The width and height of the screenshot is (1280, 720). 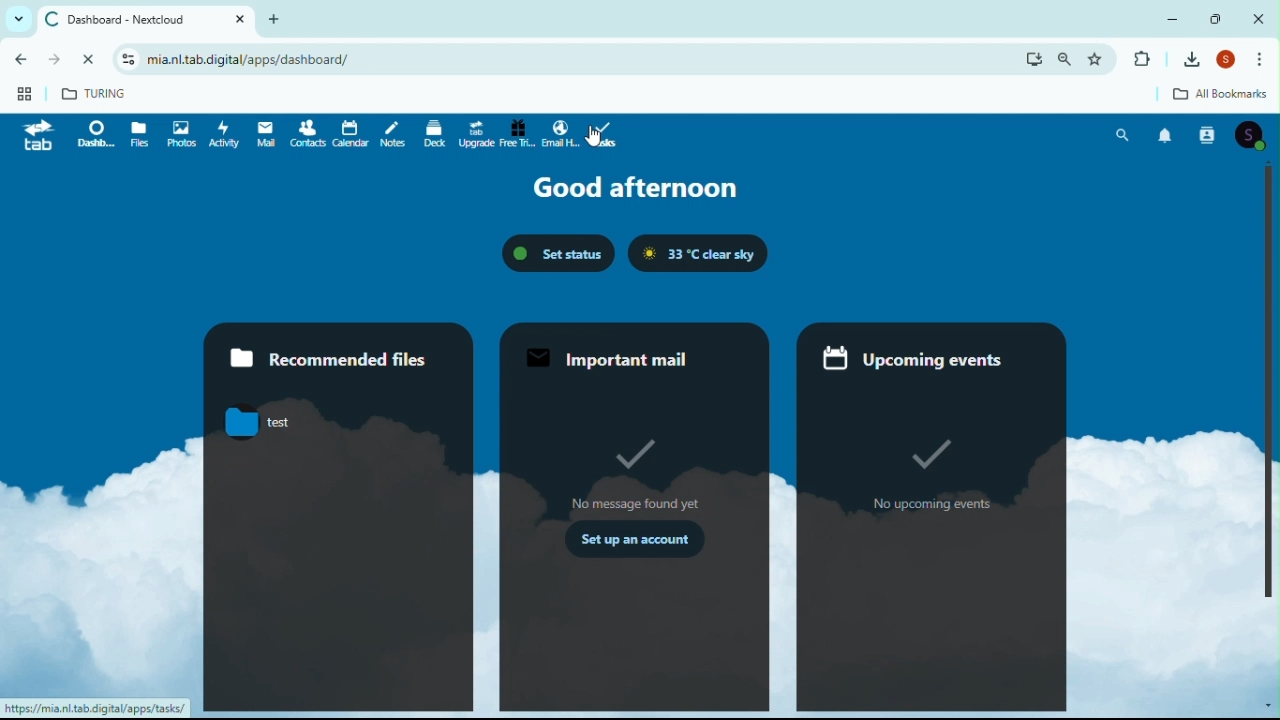 What do you see at coordinates (631, 502) in the screenshot?
I see `no message found yet` at bounding box center [631, 502].